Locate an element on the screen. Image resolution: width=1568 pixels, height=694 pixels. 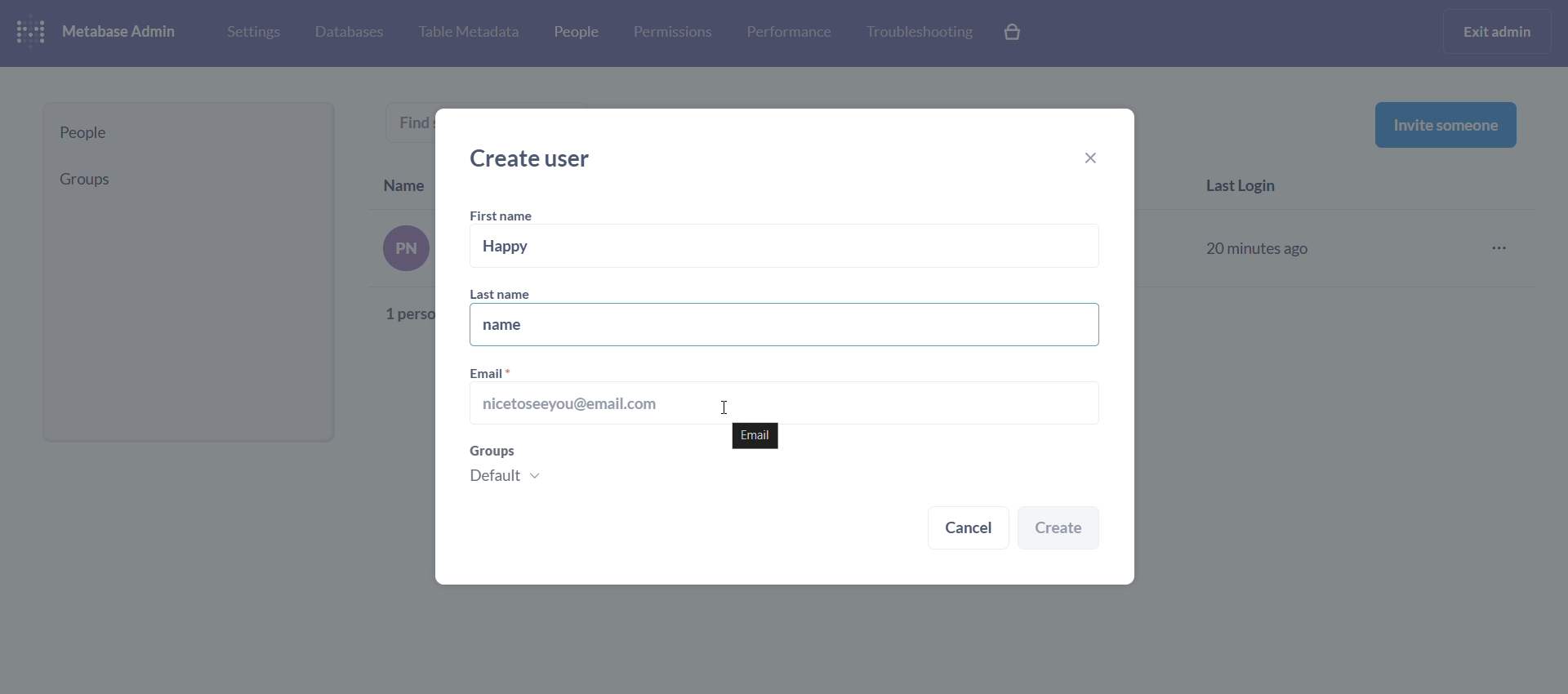
logo is located at coordinates (34, 33).